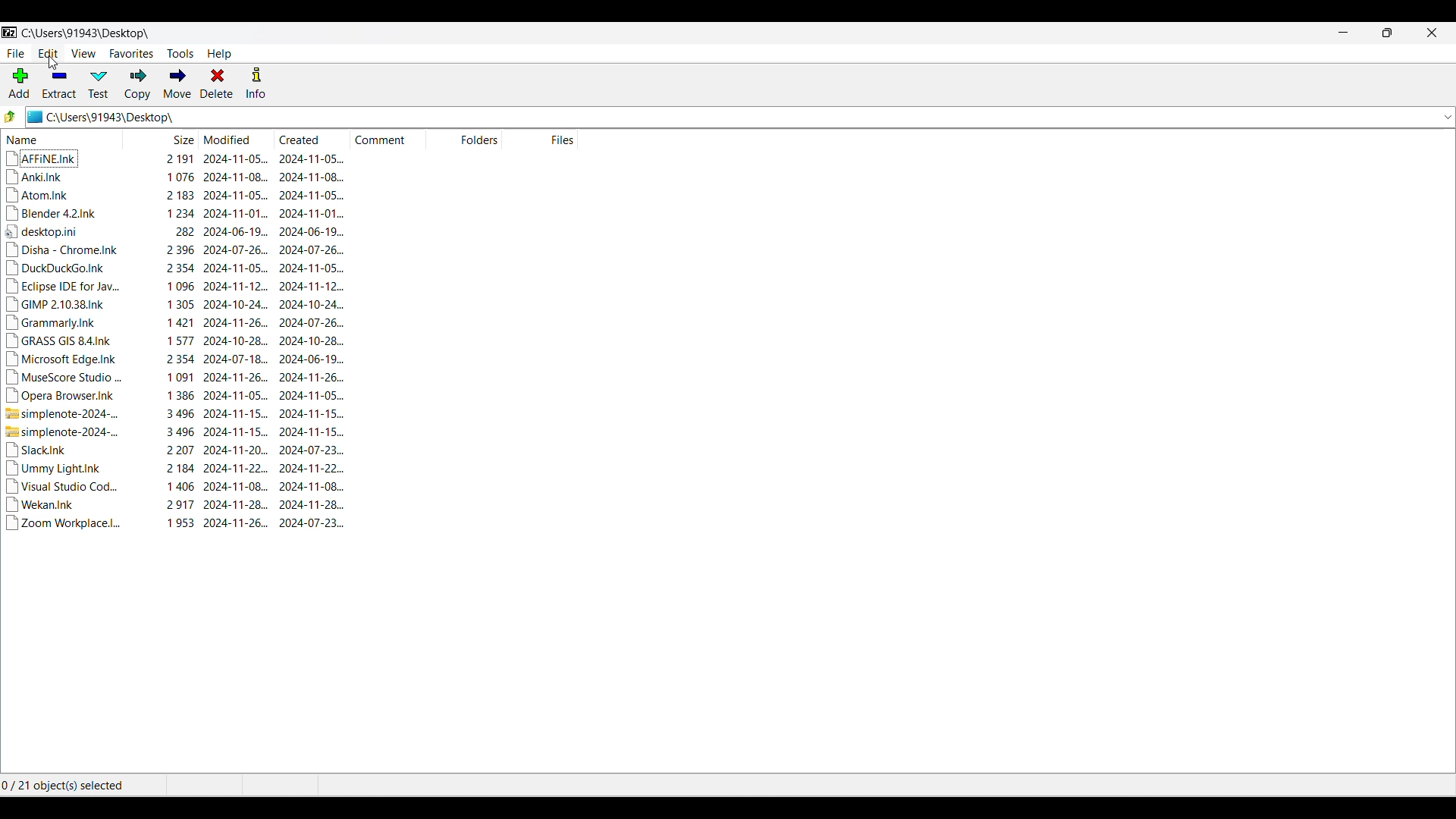 The image size is (1456, 819). I want to click on List all previous folders, so click(1447, 118).